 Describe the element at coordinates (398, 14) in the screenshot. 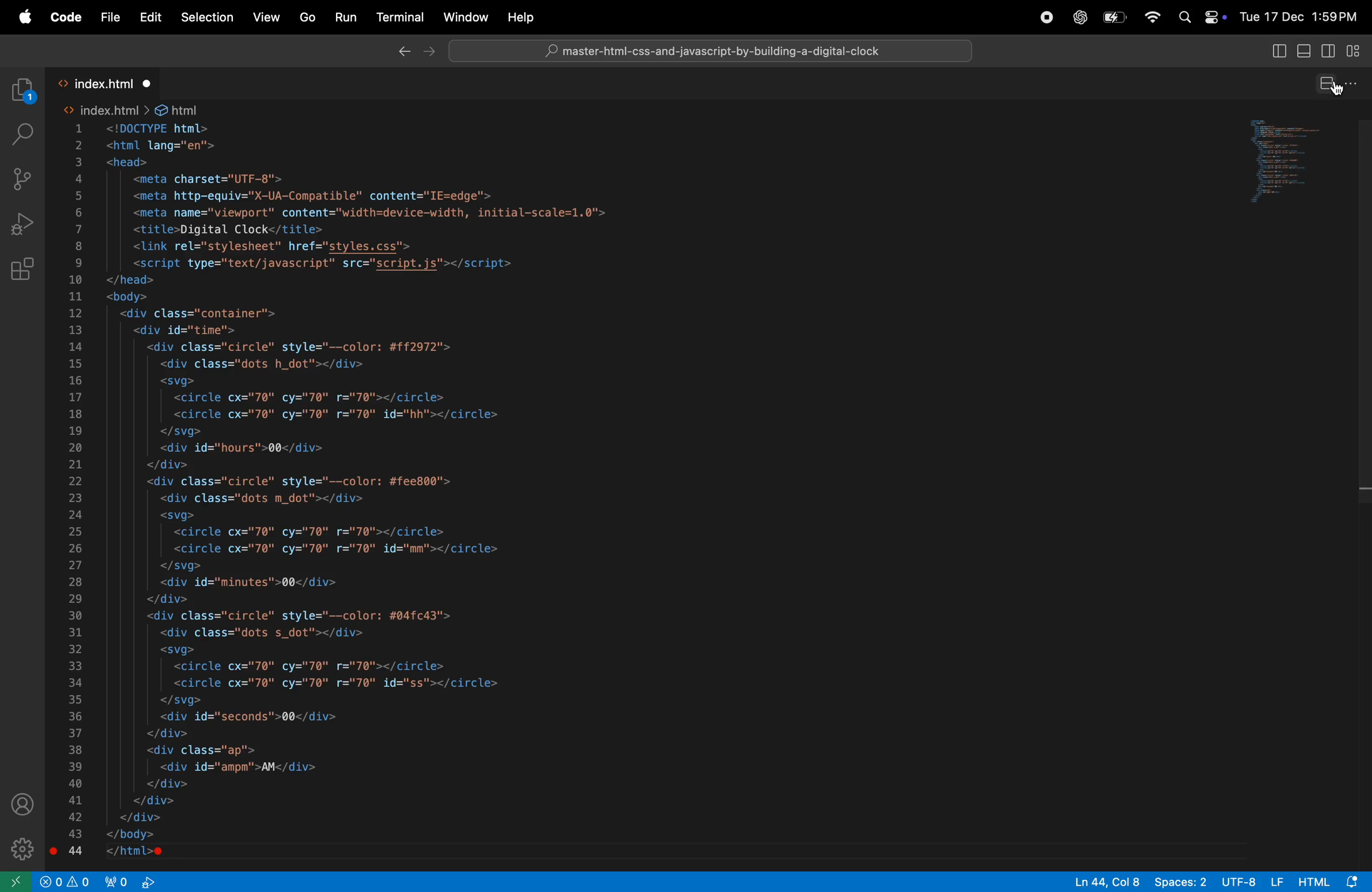

I see `terminal` at that location.